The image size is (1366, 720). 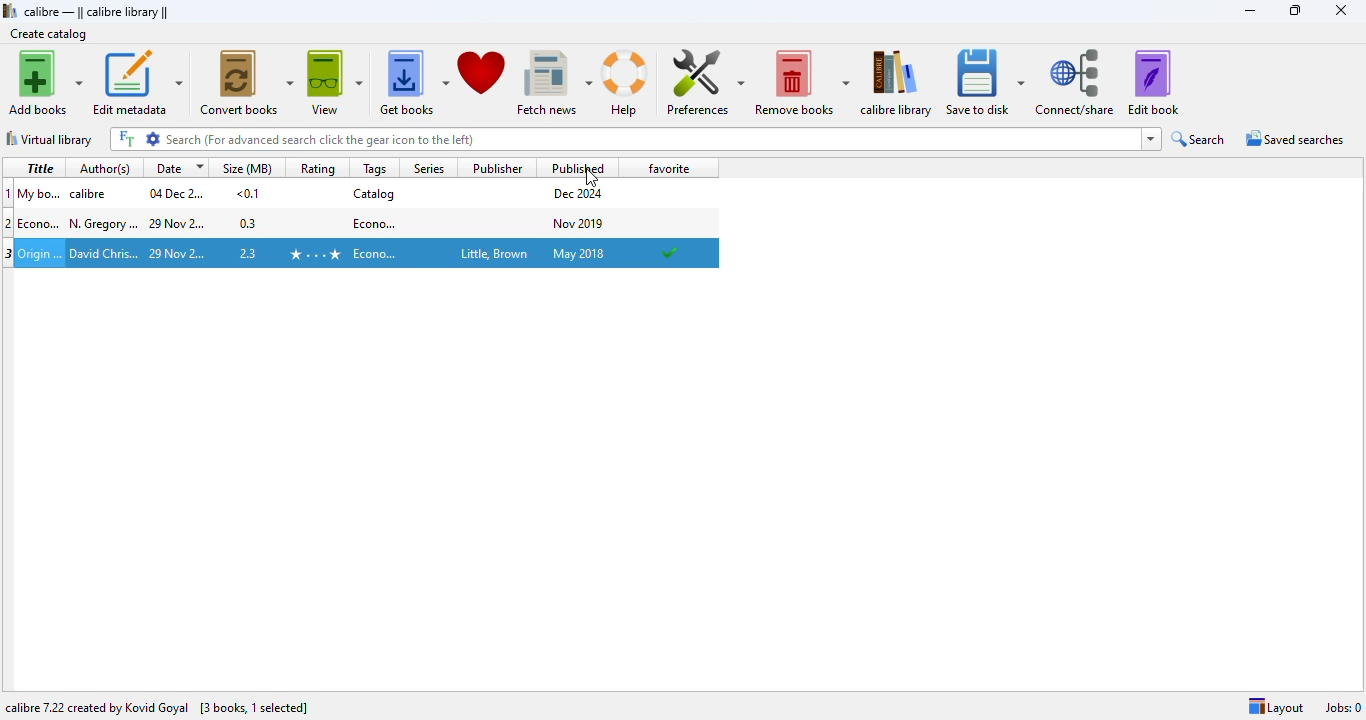 I want to click on date, so click(x=178, y=167).